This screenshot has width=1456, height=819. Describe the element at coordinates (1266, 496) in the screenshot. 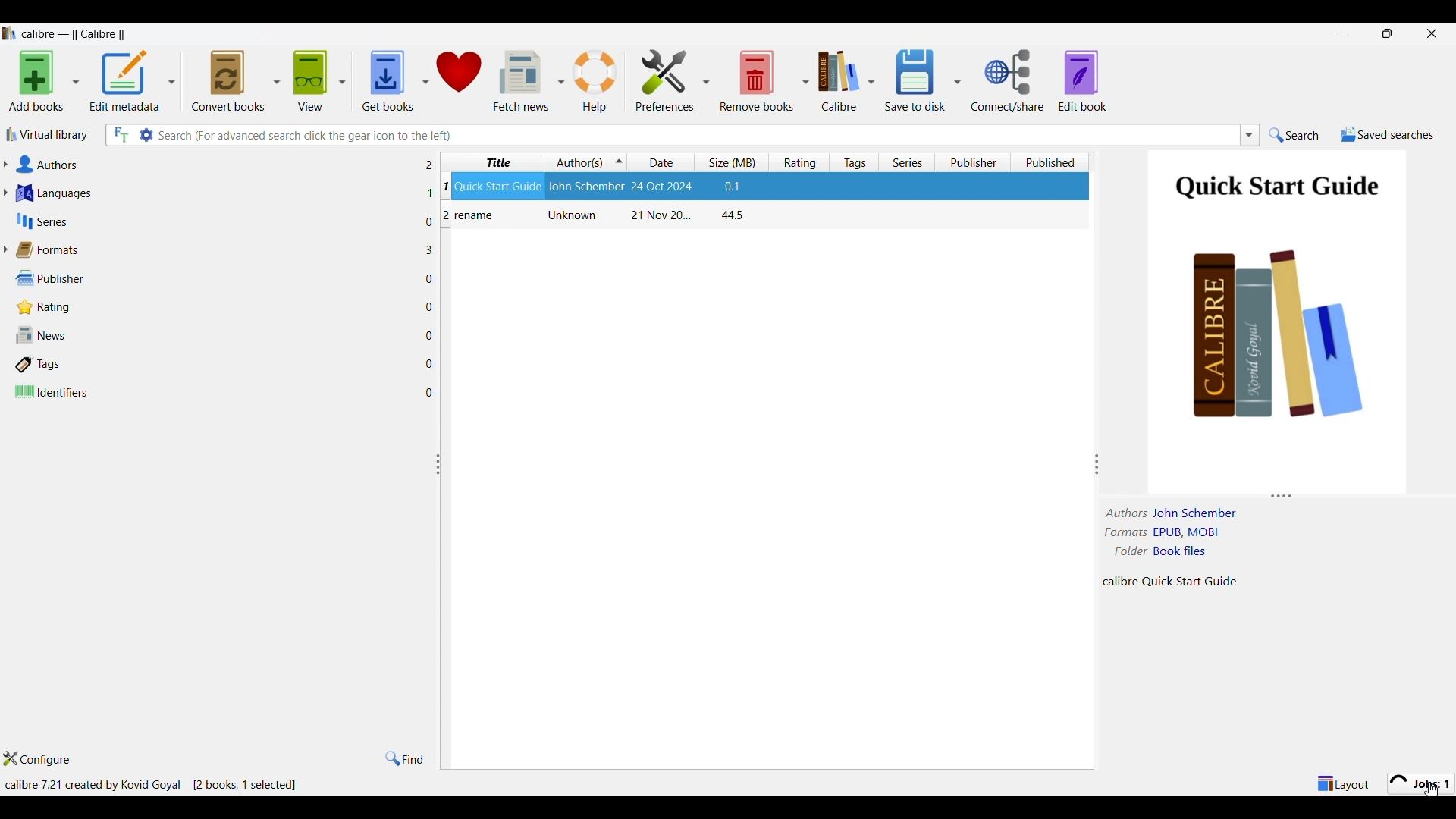

I see `Change height of panels attached` at that location.